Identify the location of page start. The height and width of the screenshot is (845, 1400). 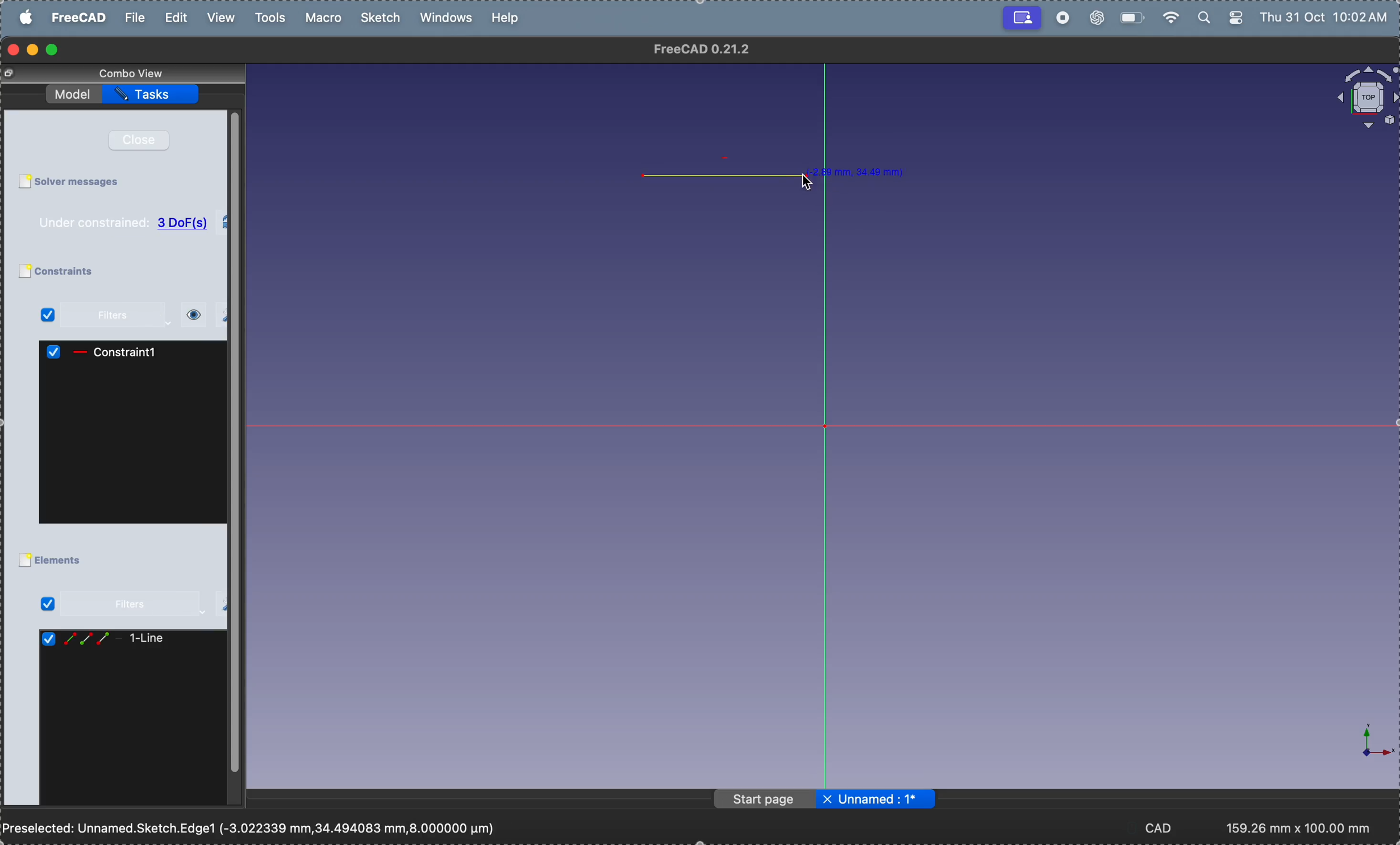
(766, 800).